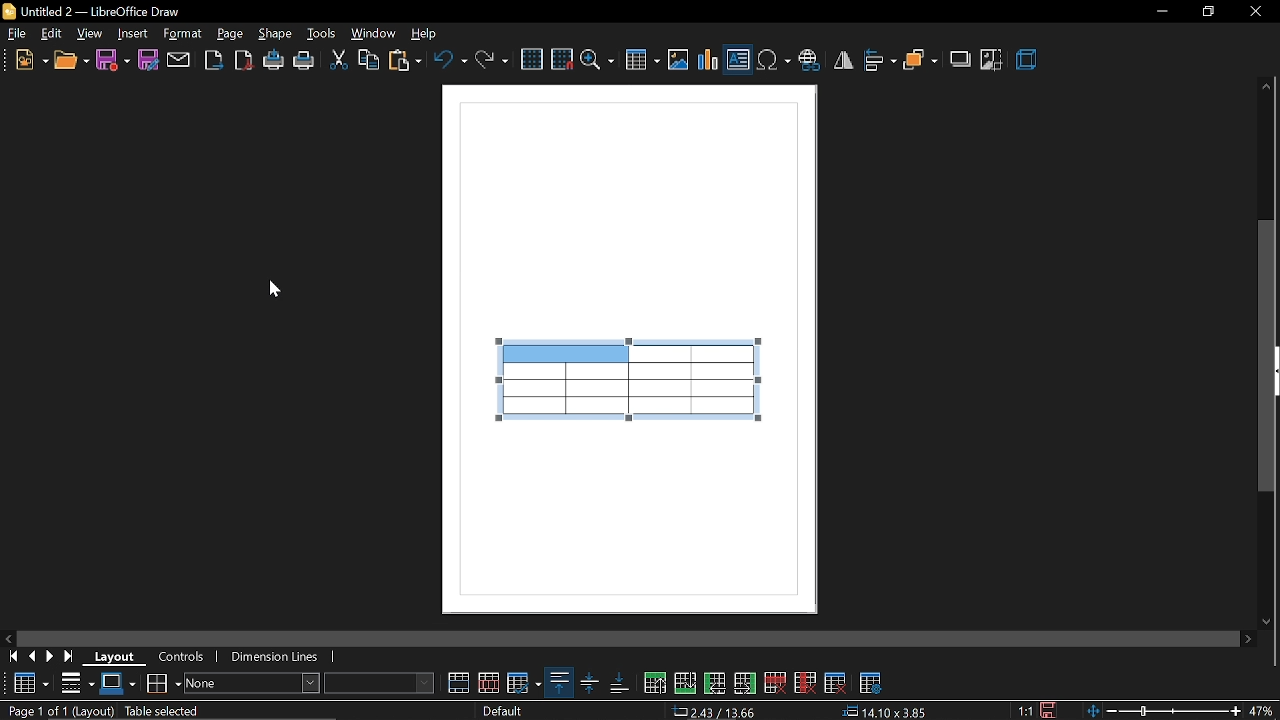  I want to click on snap to grid, so click(562, 59).